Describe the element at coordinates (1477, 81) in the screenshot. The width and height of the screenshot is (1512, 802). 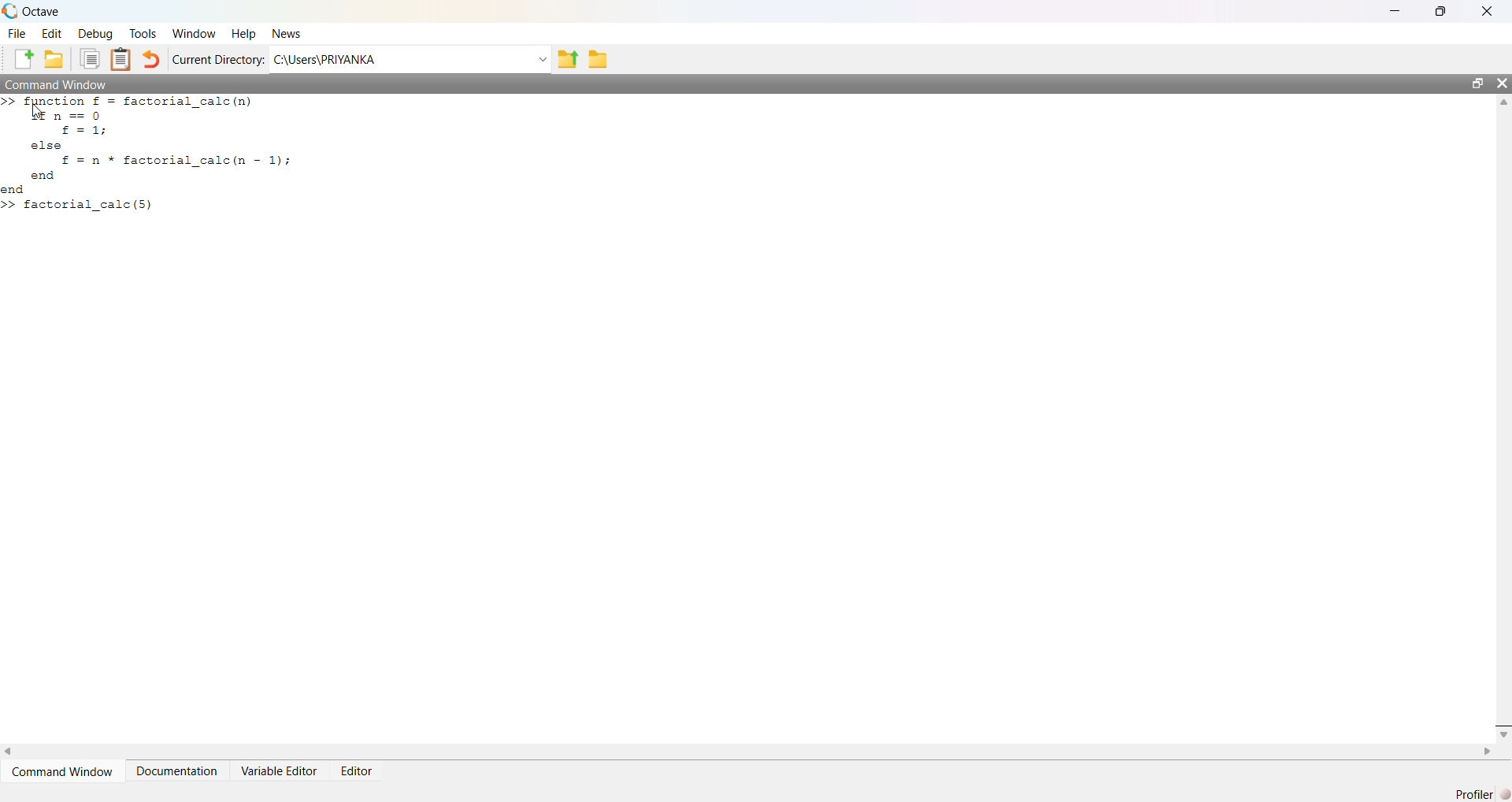
I see `open in separate window` at that location.